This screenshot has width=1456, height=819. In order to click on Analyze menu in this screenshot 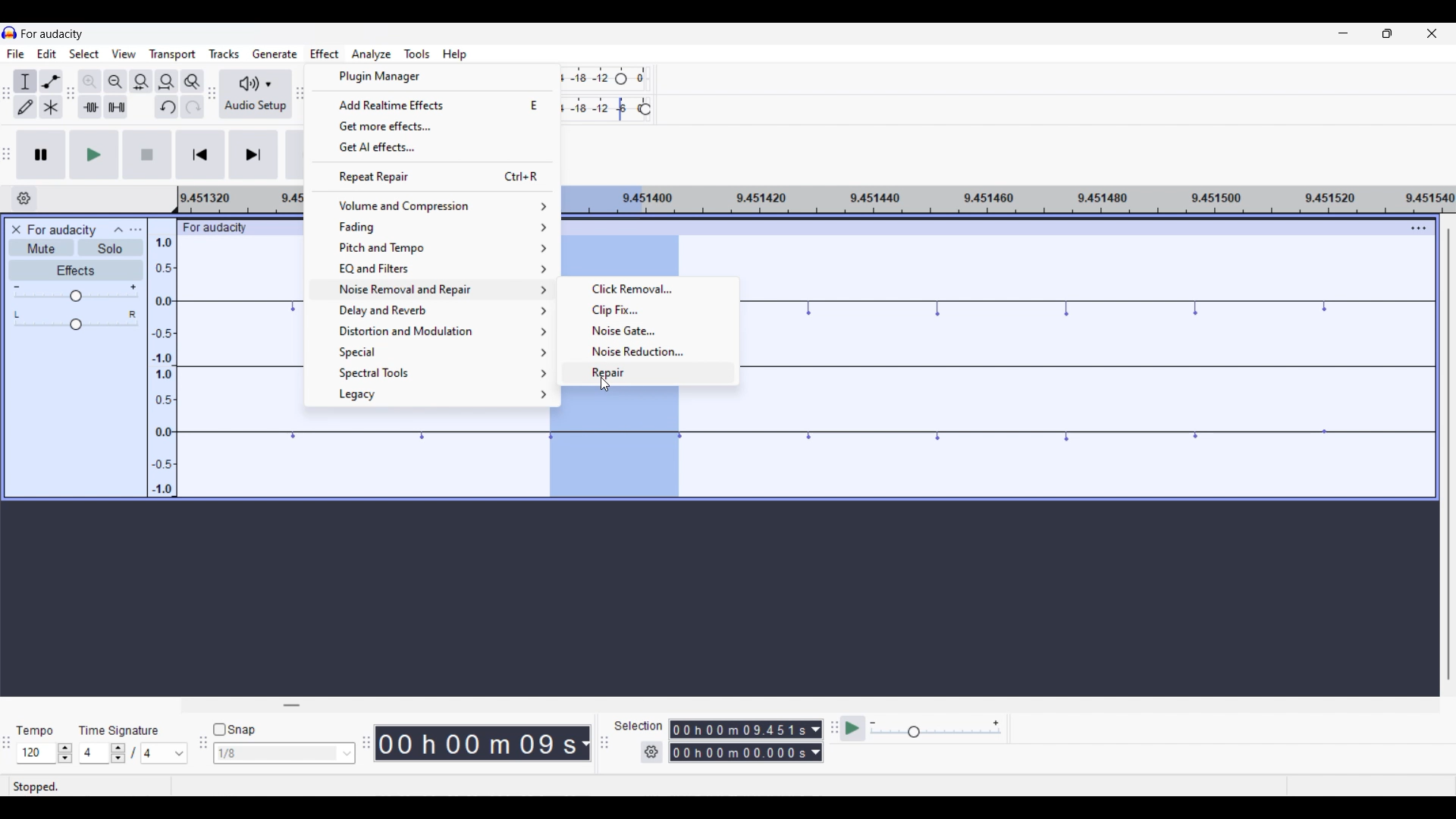, I will do `click(373, 55)`.